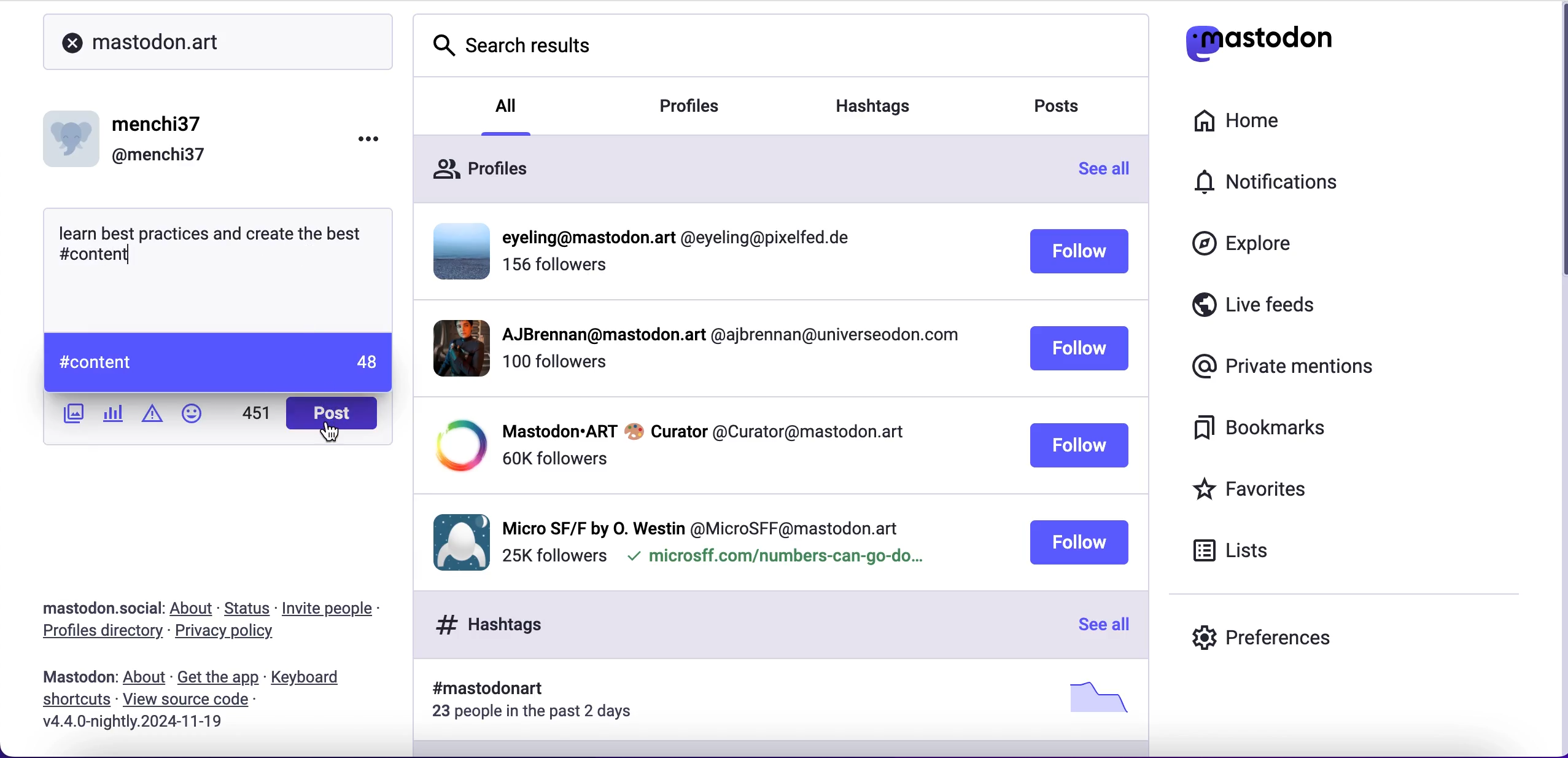  Describe the element at coordinates (511, 40) in the screenshot. I see `search results` at that location.